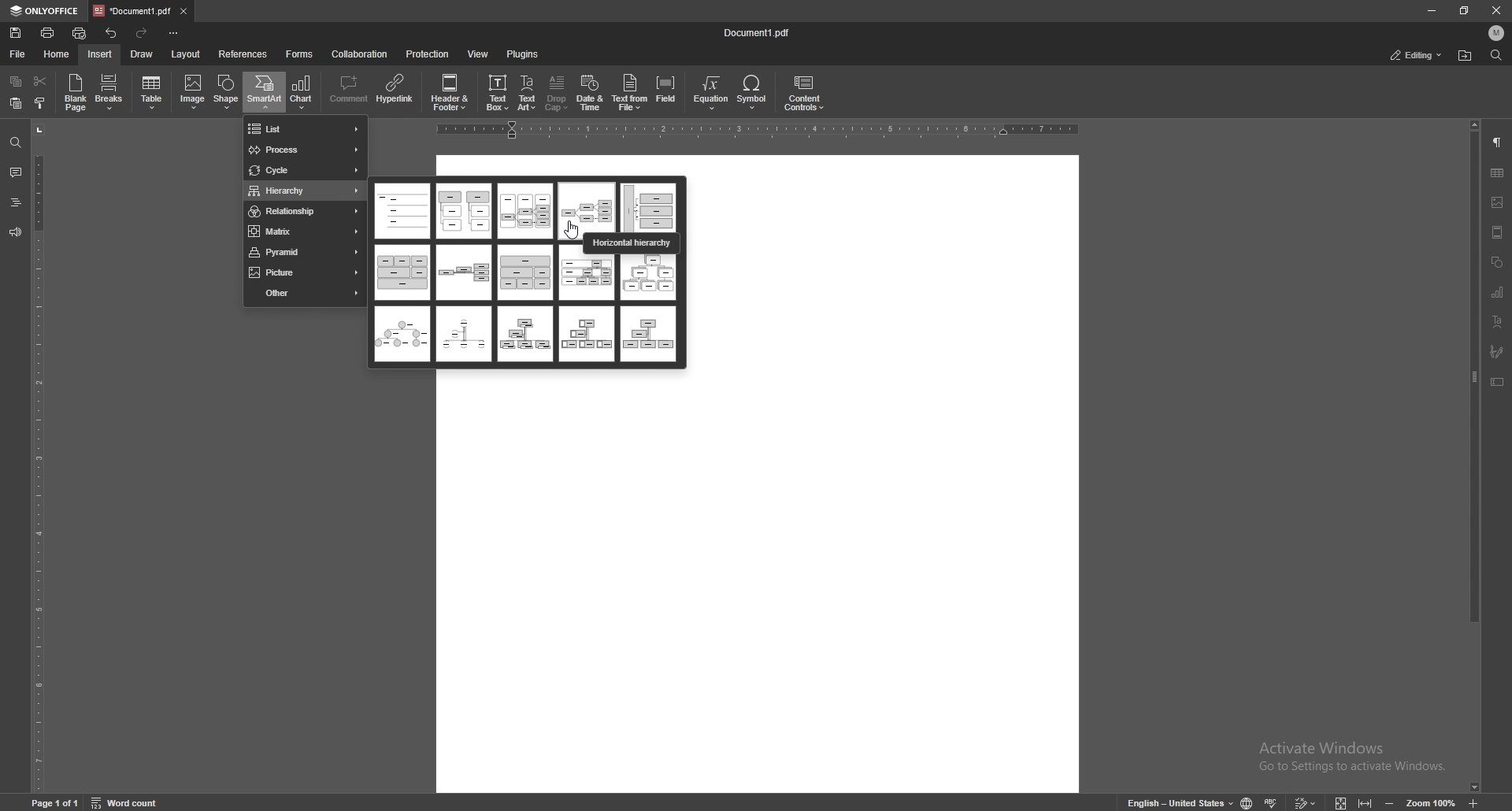 The width and height of the screenshot is (1512, 811). What do you see at coordinates (428, 54) in the screenshot?
I see `protection` at bounding box center [428, 54].